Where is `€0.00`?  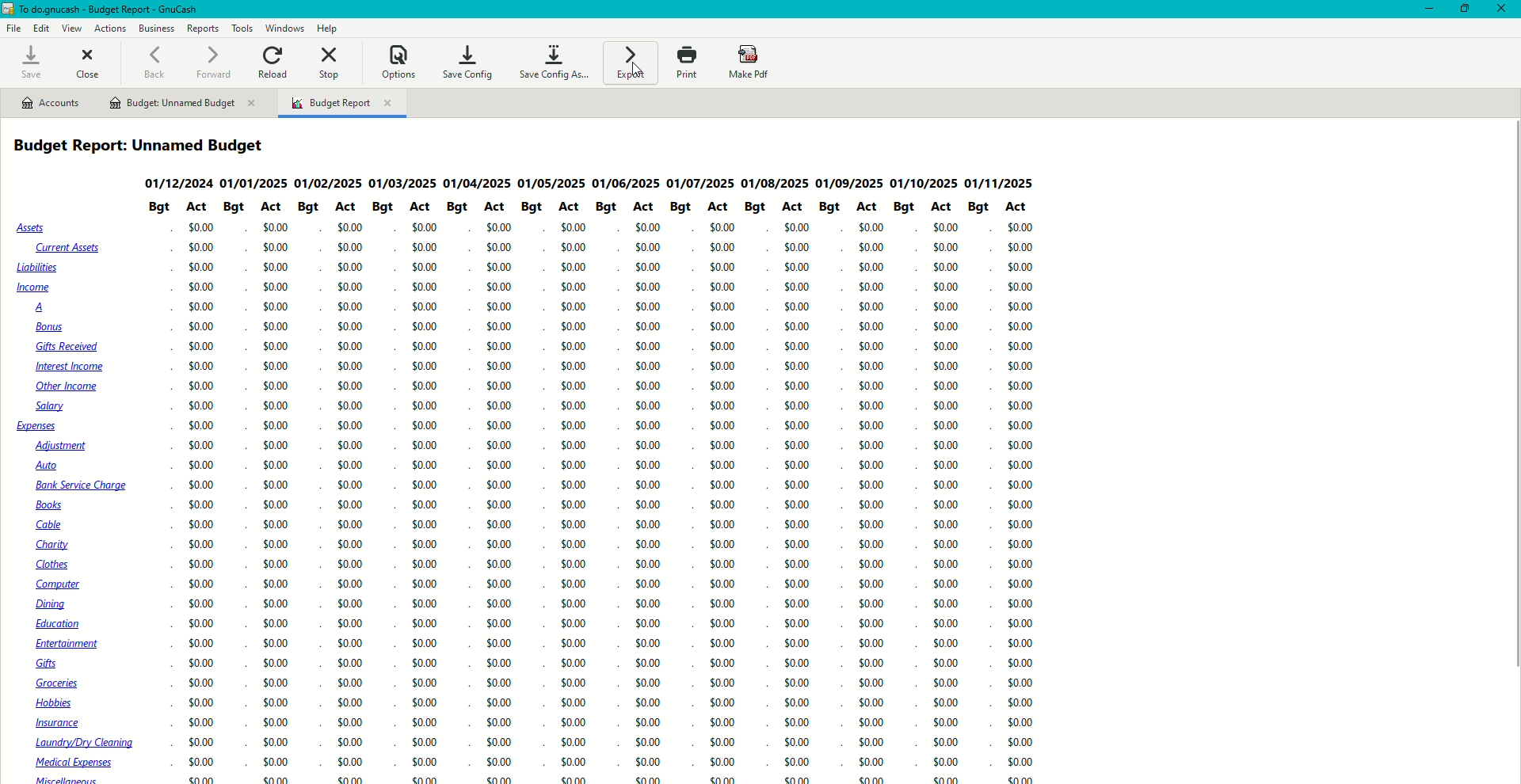
€0.00 is located at coordinates (350, 663).